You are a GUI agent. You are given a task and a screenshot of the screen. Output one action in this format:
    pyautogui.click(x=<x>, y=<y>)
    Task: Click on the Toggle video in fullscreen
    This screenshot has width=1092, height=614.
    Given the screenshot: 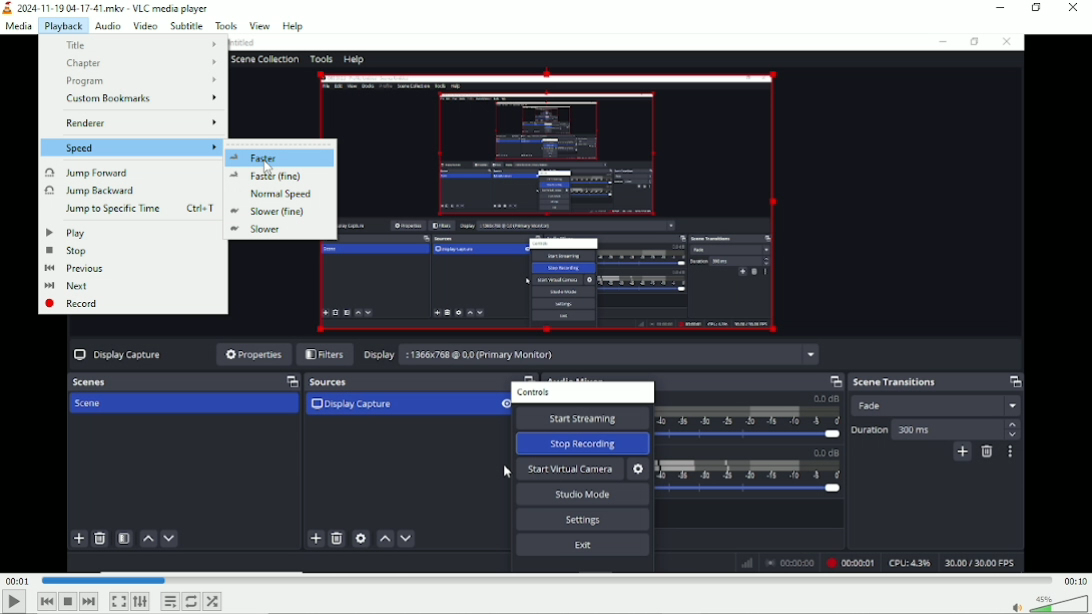 What is the action you would take?
    pyautogui.click(x=119, y=602)
    